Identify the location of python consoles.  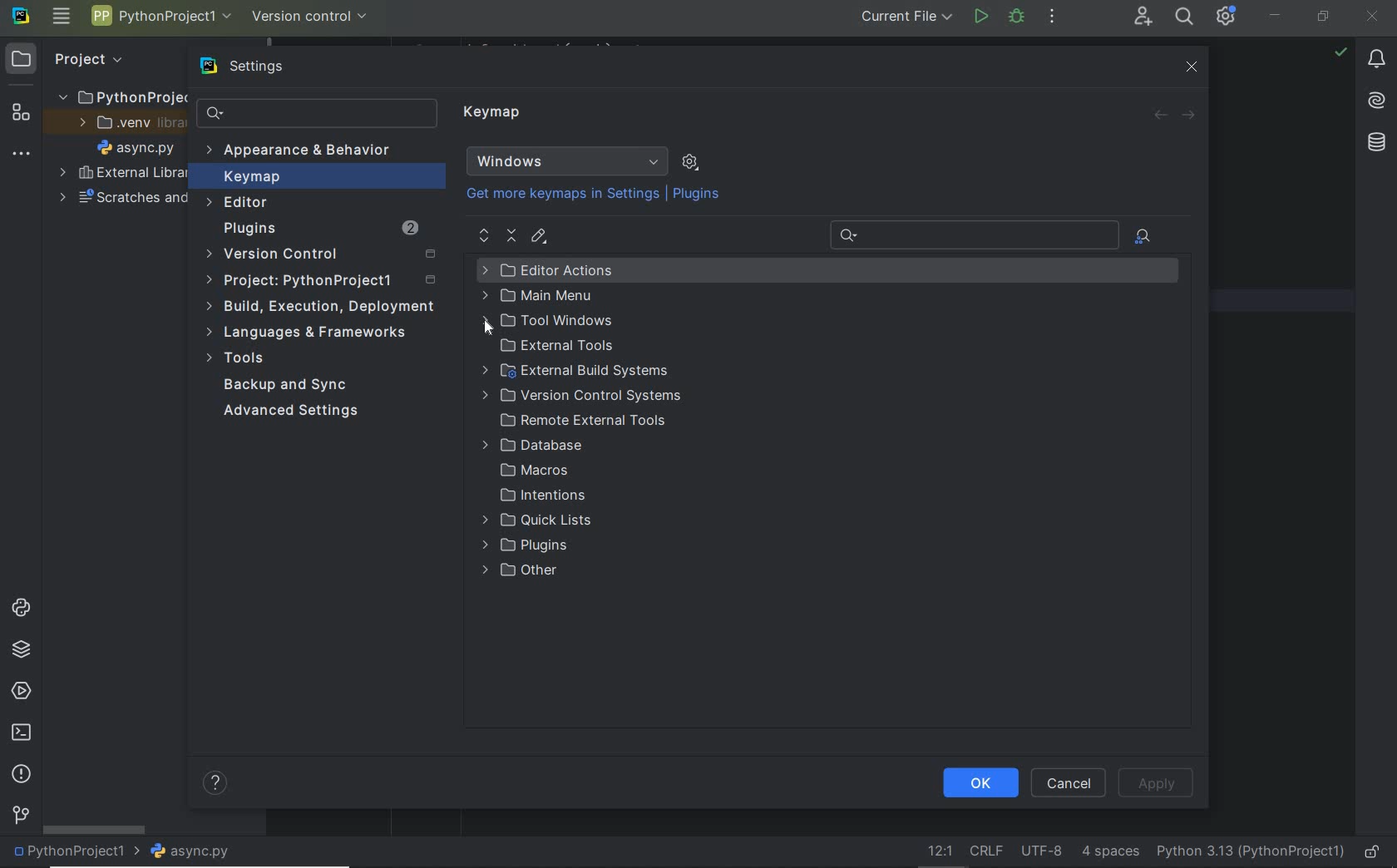
(19, 608).